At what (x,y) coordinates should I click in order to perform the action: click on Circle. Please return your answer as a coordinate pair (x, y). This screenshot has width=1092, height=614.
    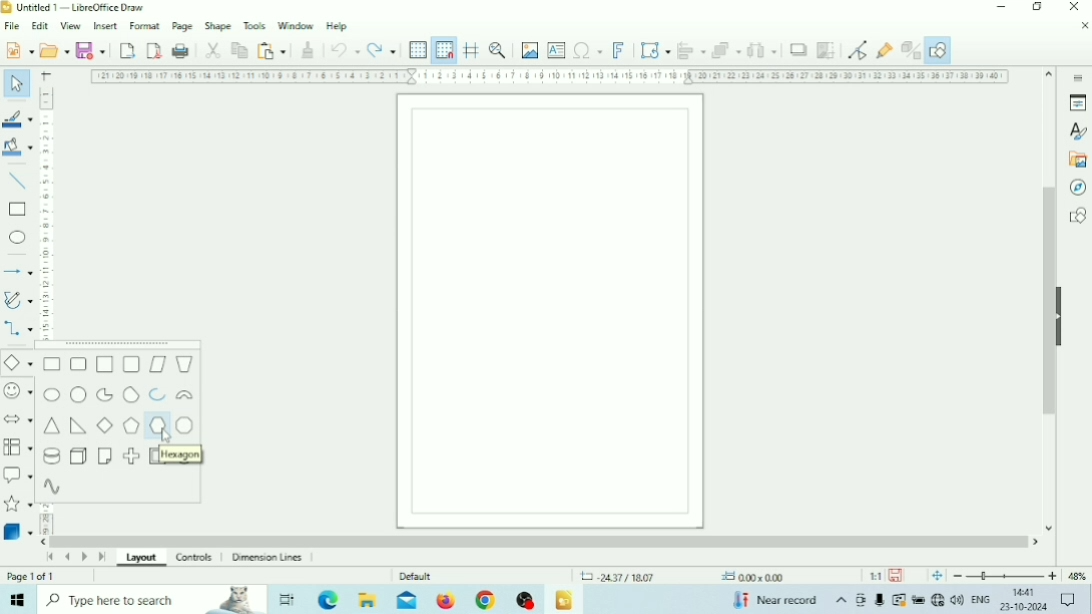
    Looking at the image, I should click on (79, 395).